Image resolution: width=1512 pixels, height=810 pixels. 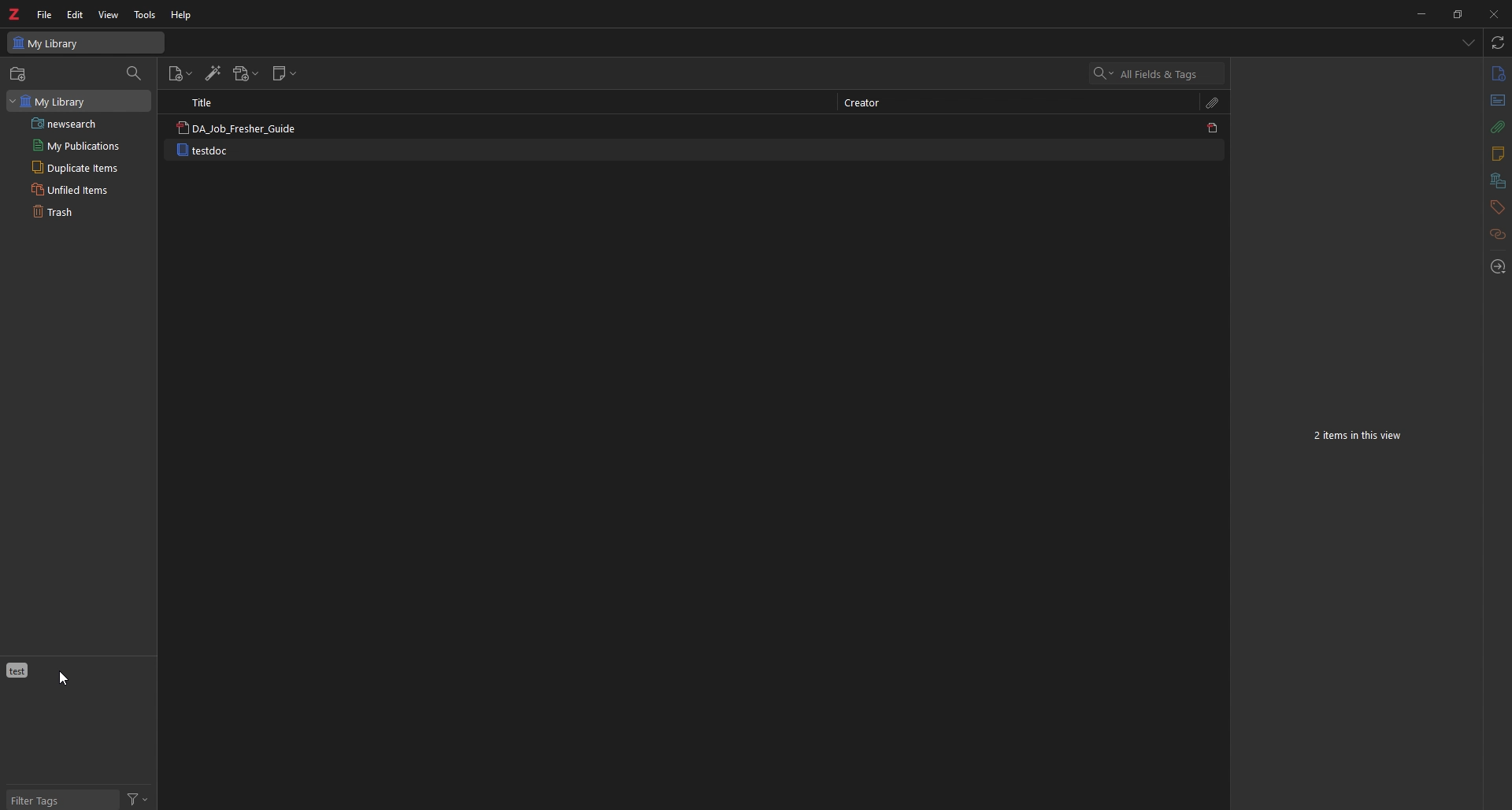 I want to click on add items by identifier, so click(x=213, y=74).